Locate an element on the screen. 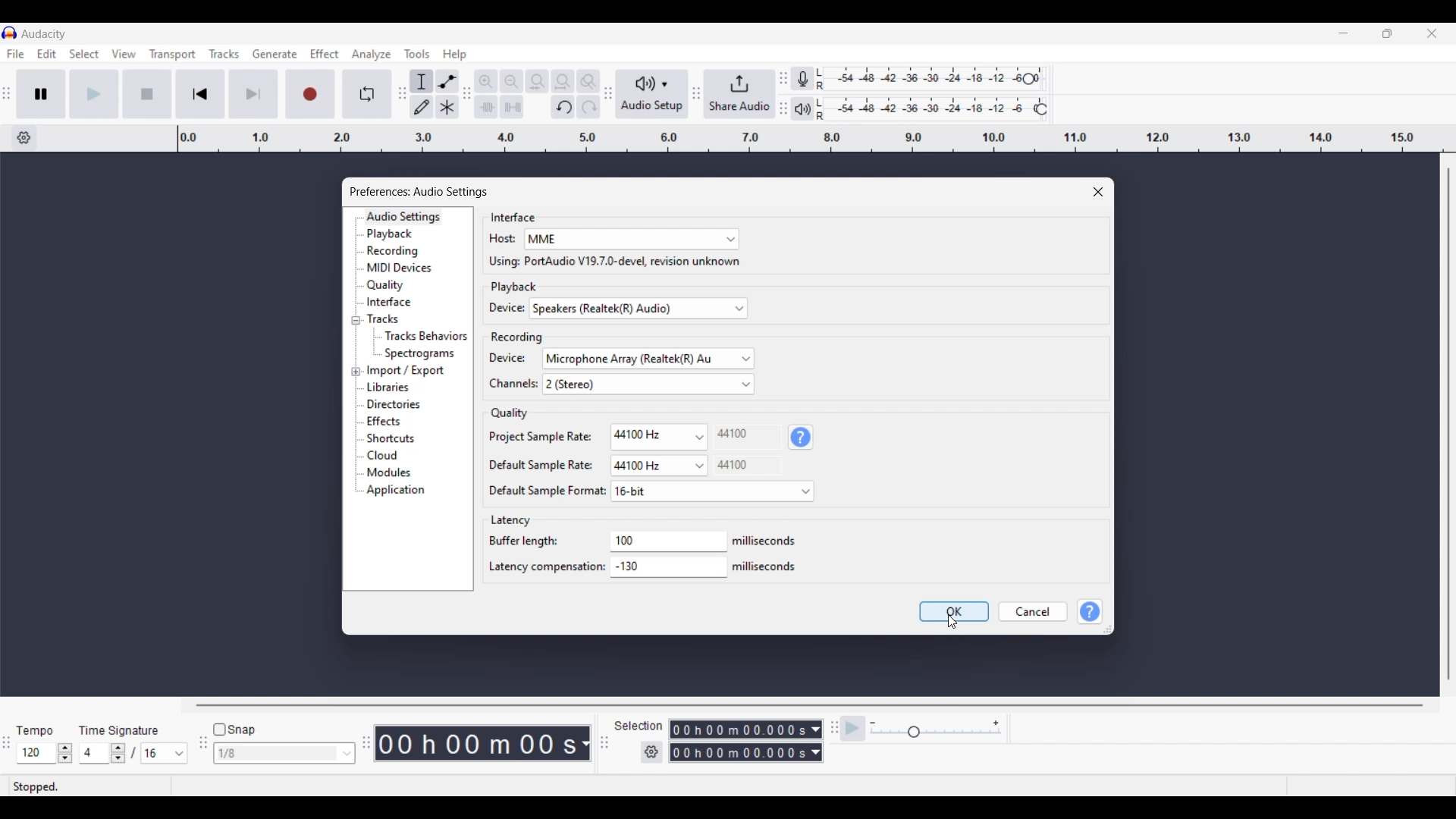 The image size is (1456, 819). Decrease playback speed to minimum is located at coordinates (873, 723).